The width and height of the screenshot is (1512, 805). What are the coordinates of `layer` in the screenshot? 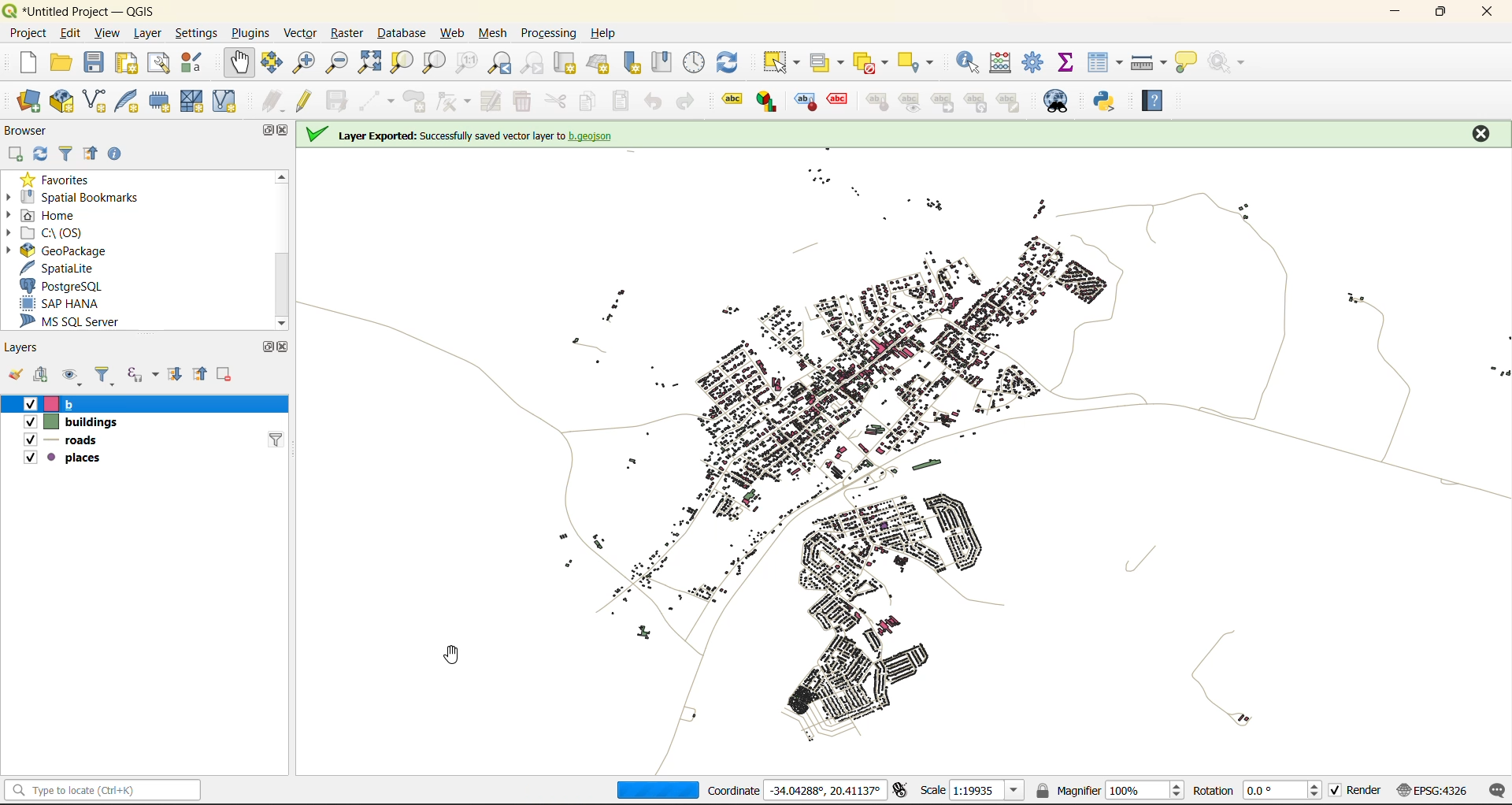 It's located at (146, 34).